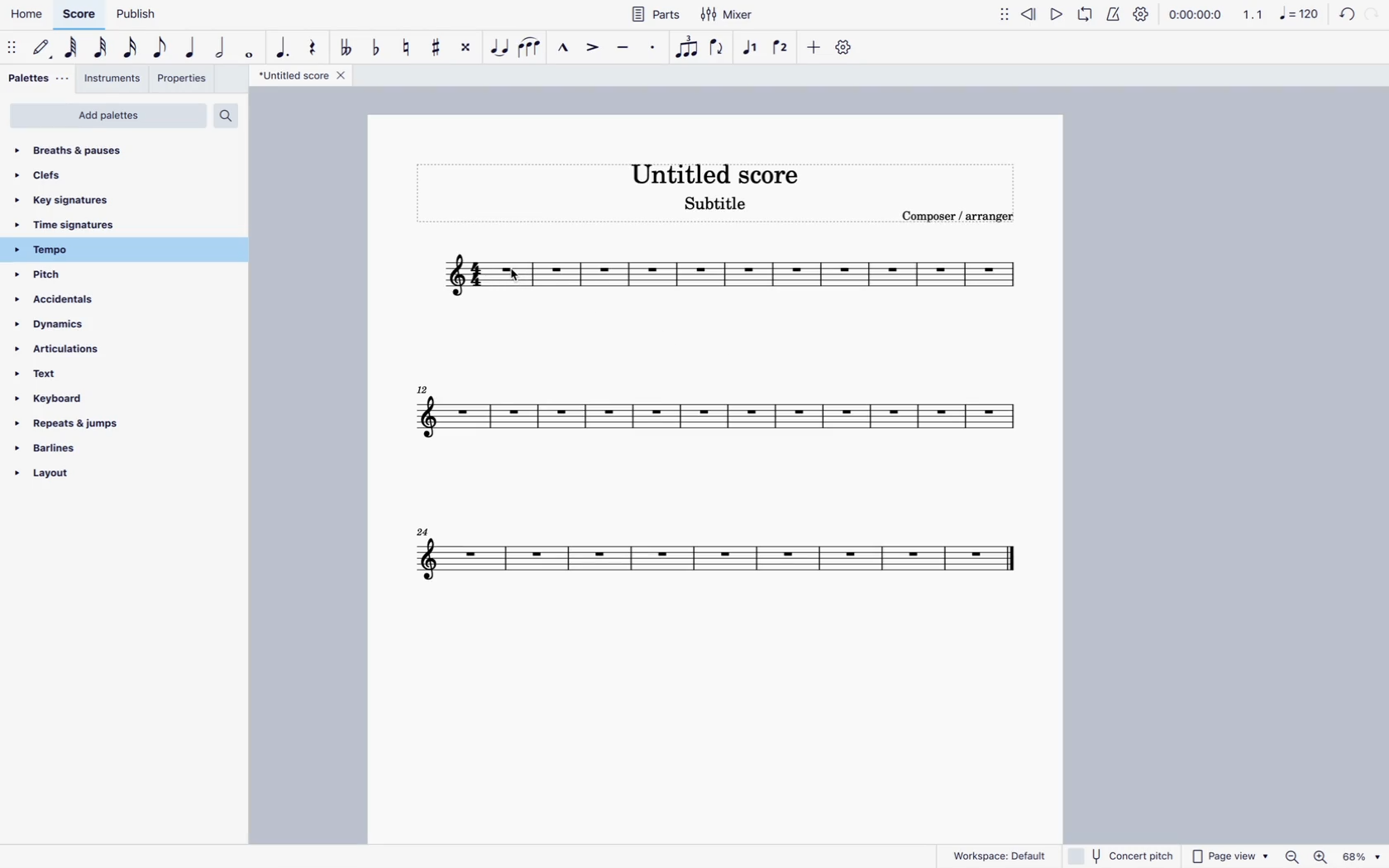  Describe the element at coordinates (346, 44) in the screenshot. I see `double toggle flat` at that location.